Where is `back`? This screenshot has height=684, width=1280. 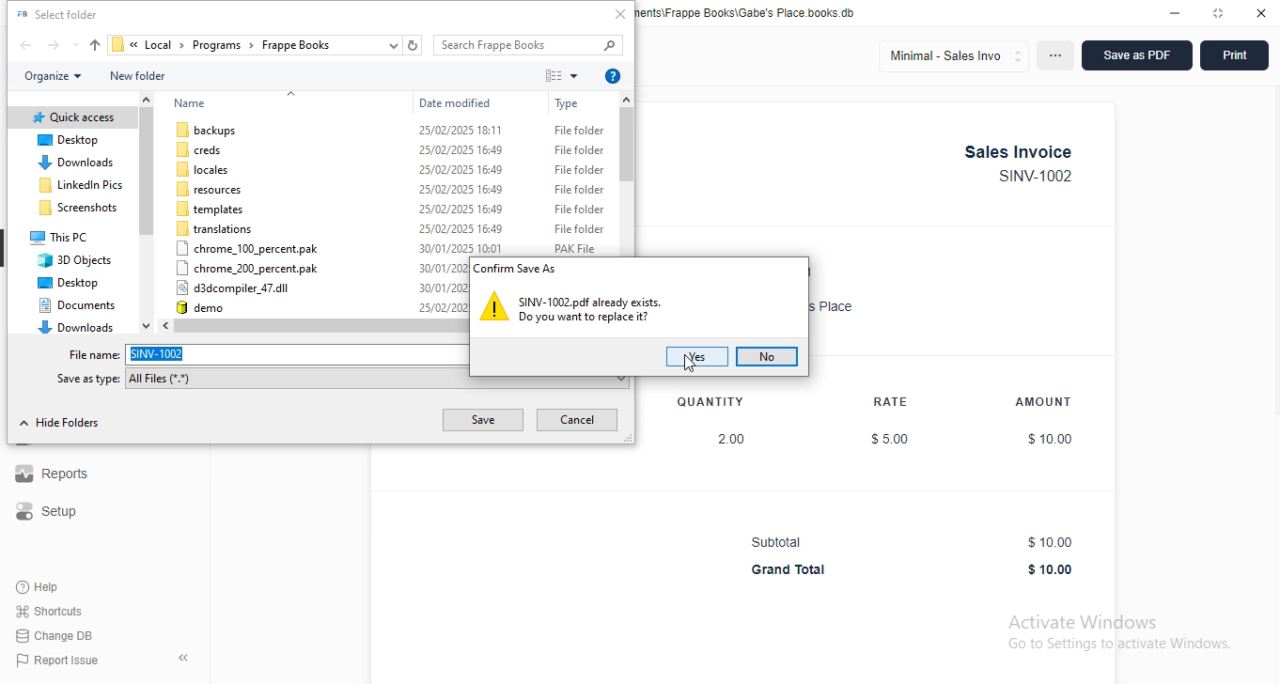
back is located at coordinates (26, 45).